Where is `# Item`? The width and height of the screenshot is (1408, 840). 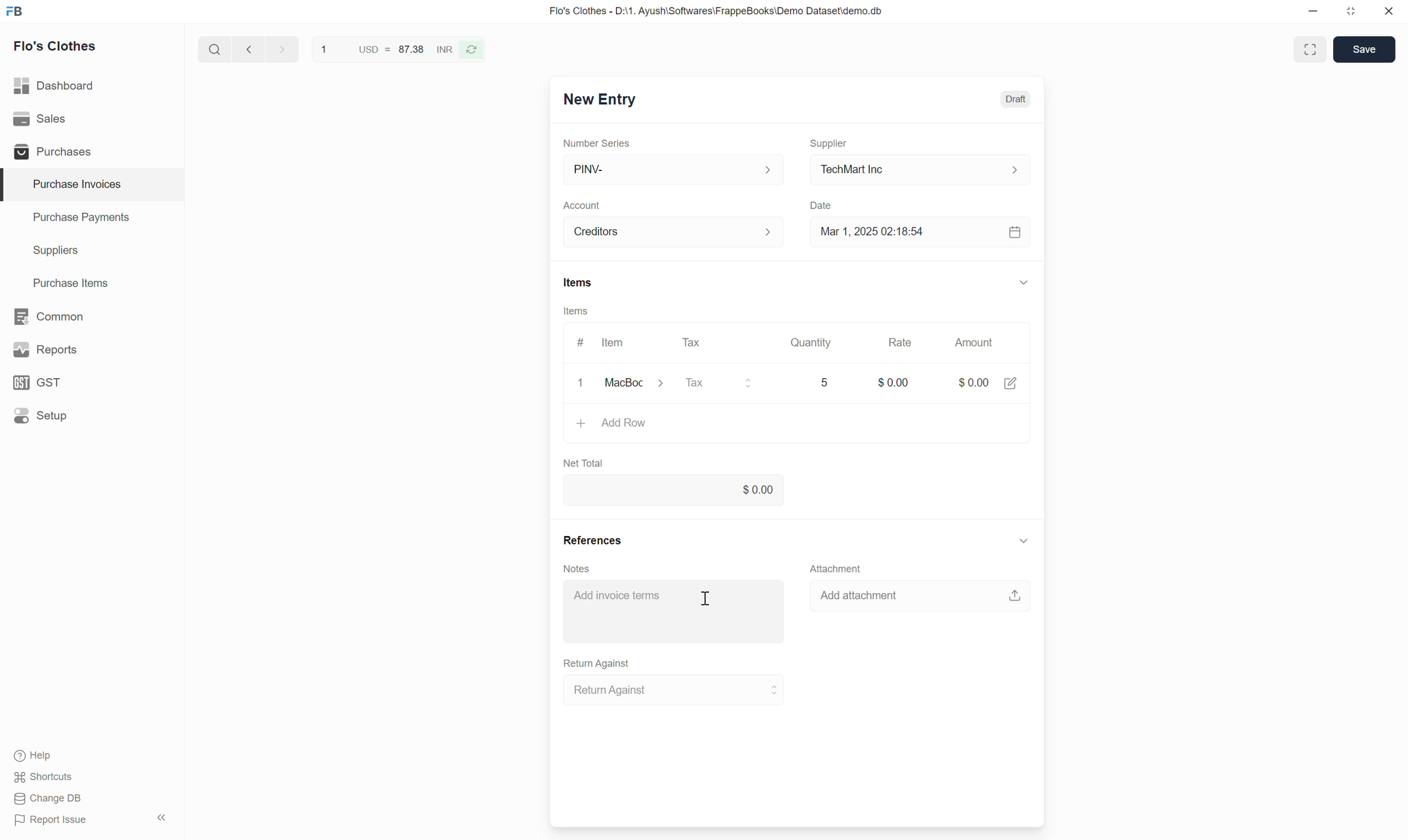 # Item is located at coordinates (602, 342).